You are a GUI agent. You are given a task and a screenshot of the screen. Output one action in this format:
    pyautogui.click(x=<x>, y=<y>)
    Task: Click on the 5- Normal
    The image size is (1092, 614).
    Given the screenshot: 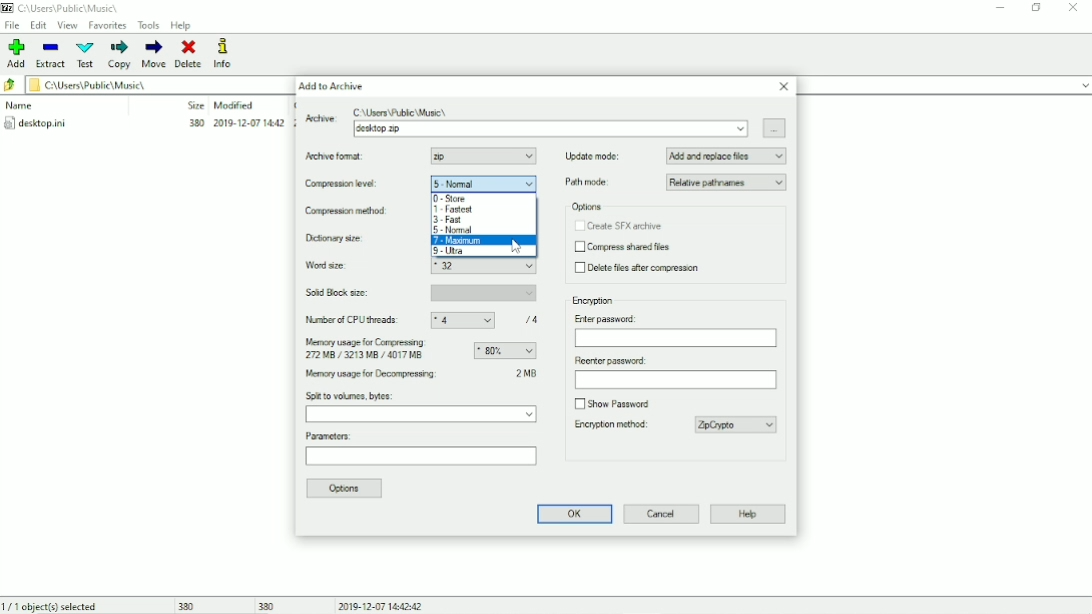 What is the action you would take?
    pyautogui.click(x=486, y=184)
    